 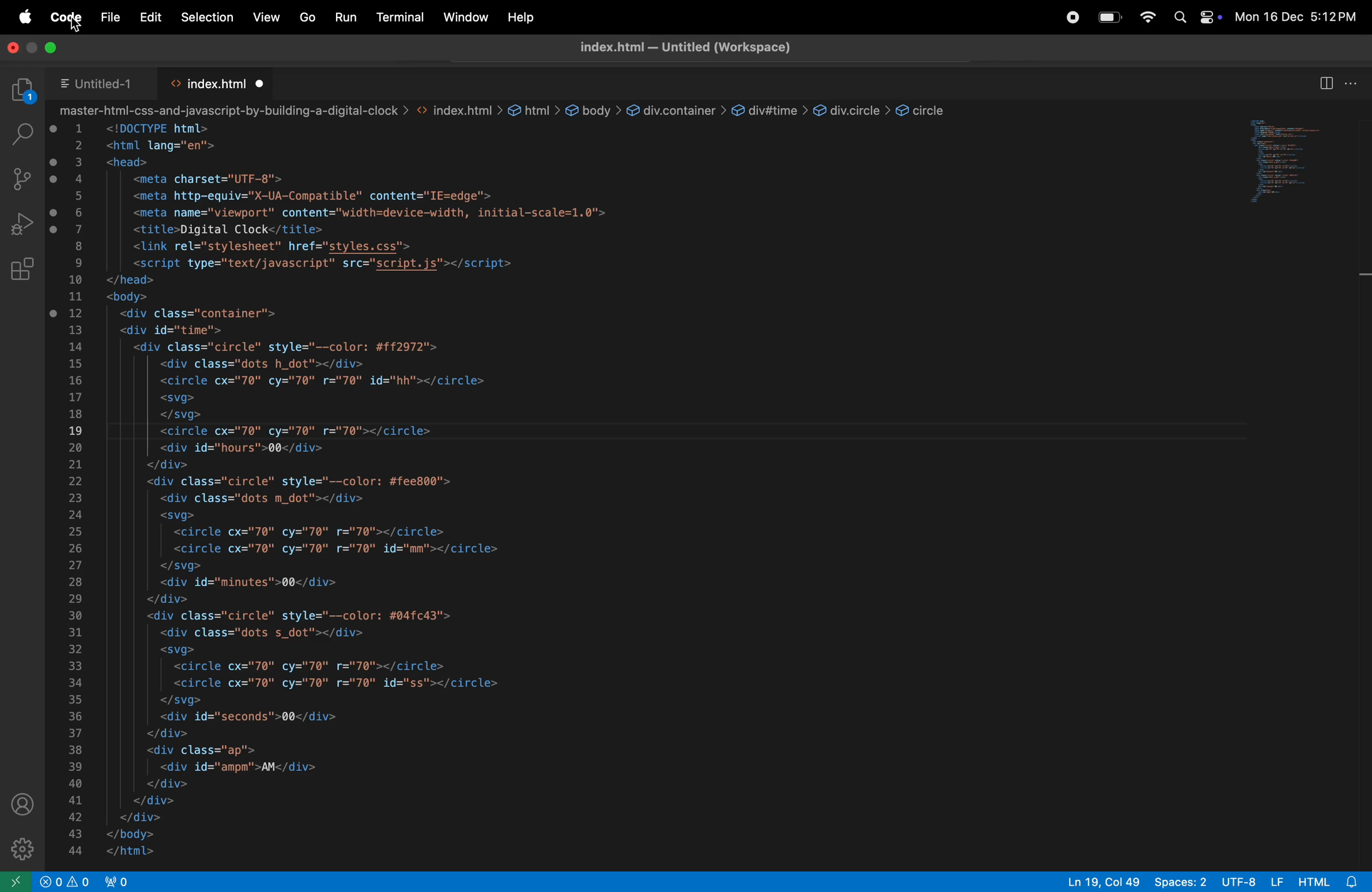 I want to click on <div class="circle" style="--color: #ff2972">, so click(x=290, y=347).